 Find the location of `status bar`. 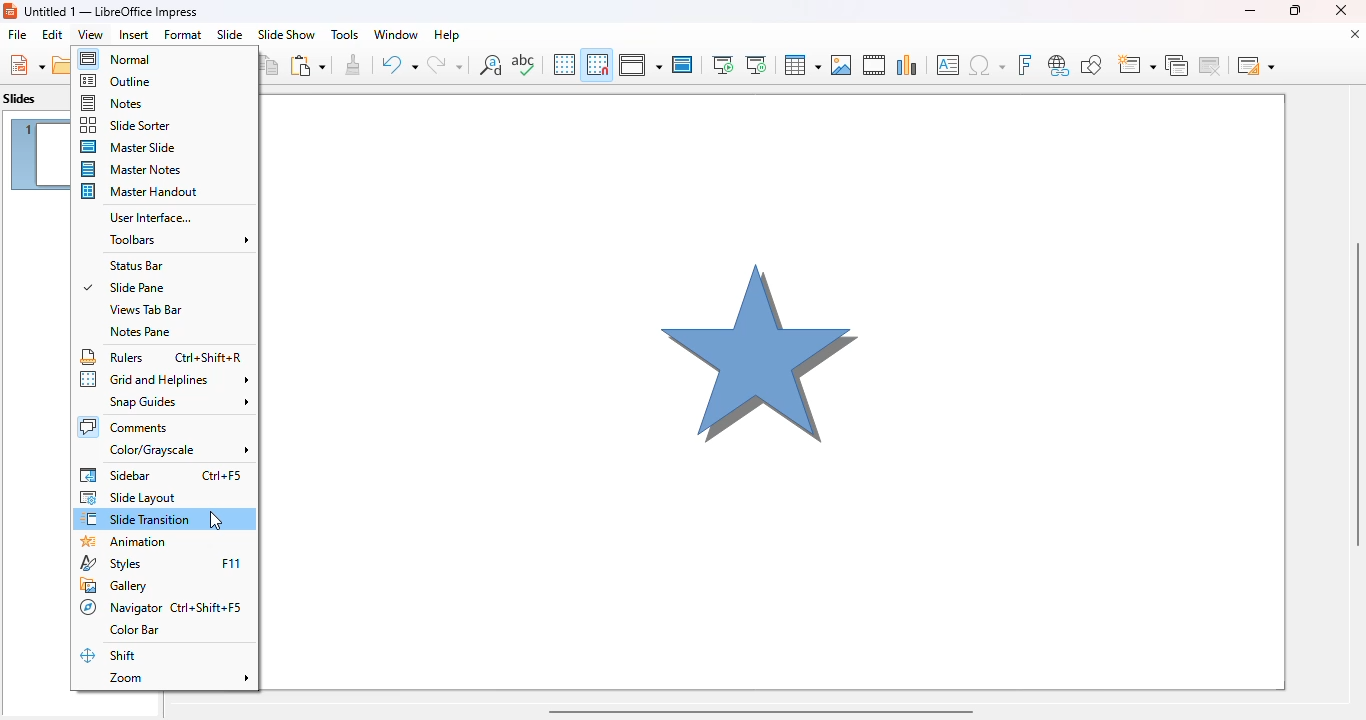

status bar is located at coordinates (135, 266).